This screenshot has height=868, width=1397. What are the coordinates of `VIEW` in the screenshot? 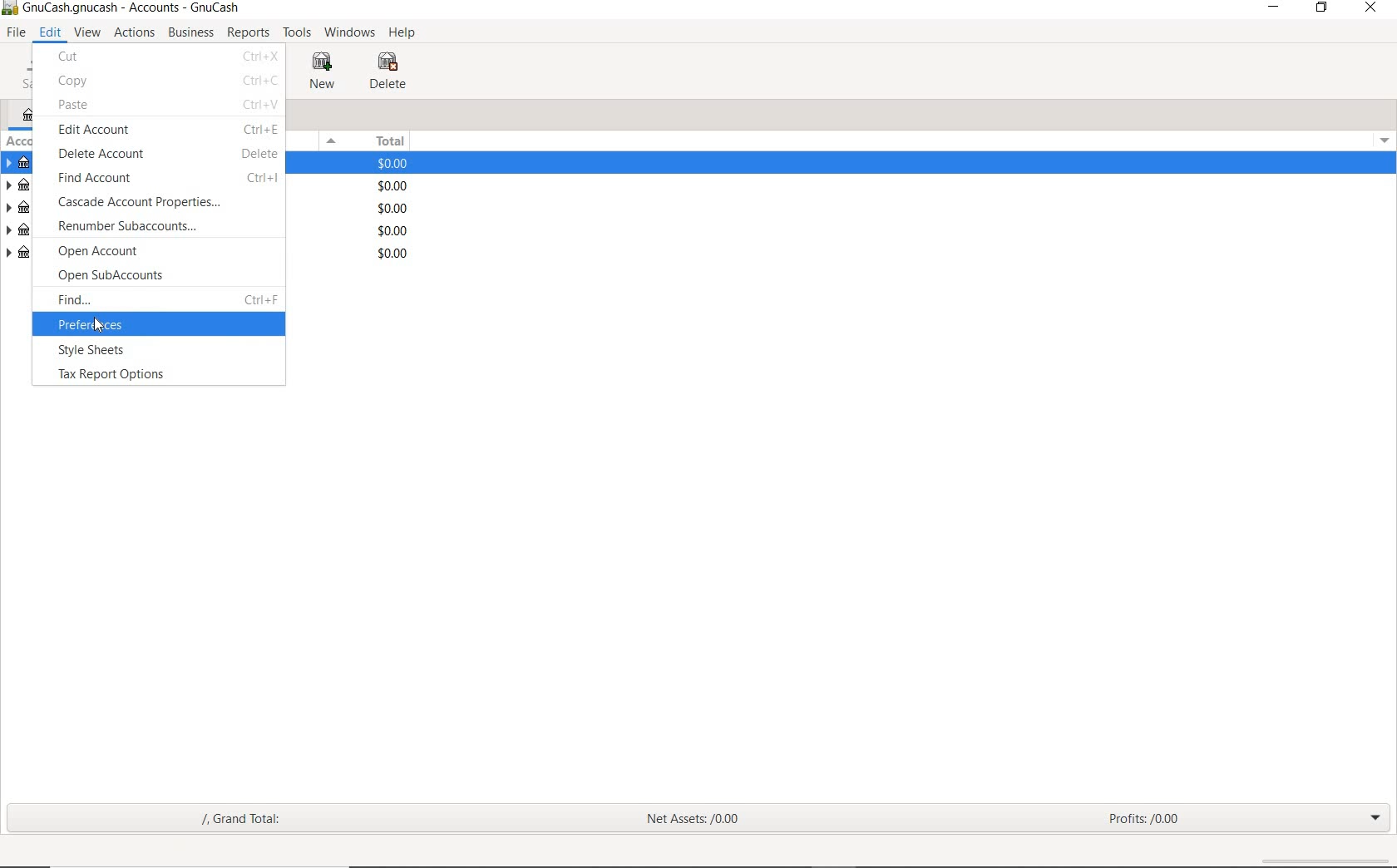 It's located at (87, 31).